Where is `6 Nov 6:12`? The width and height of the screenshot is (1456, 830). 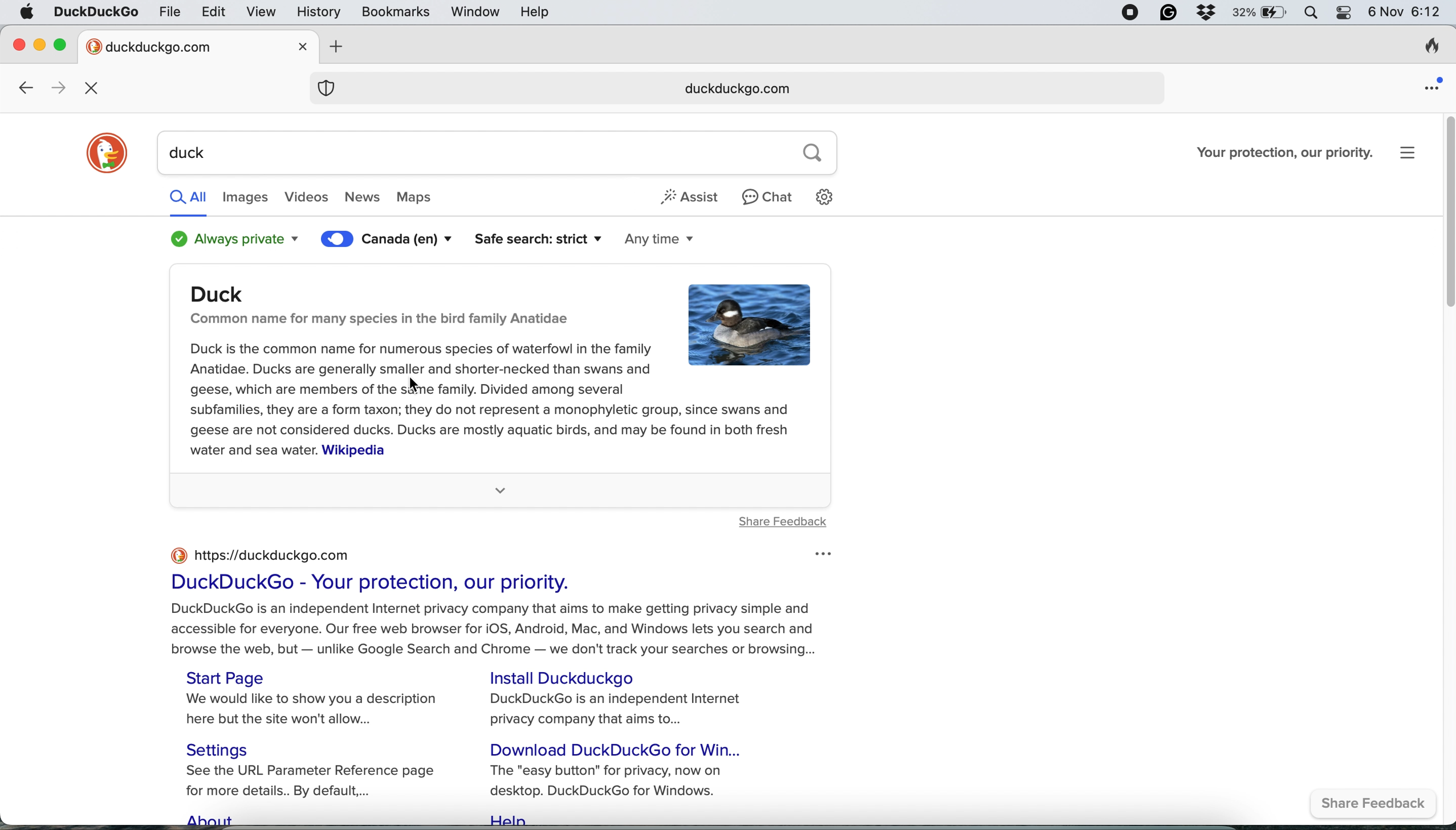
6 Nov 6:12 is located at coordinates (1404, 14).